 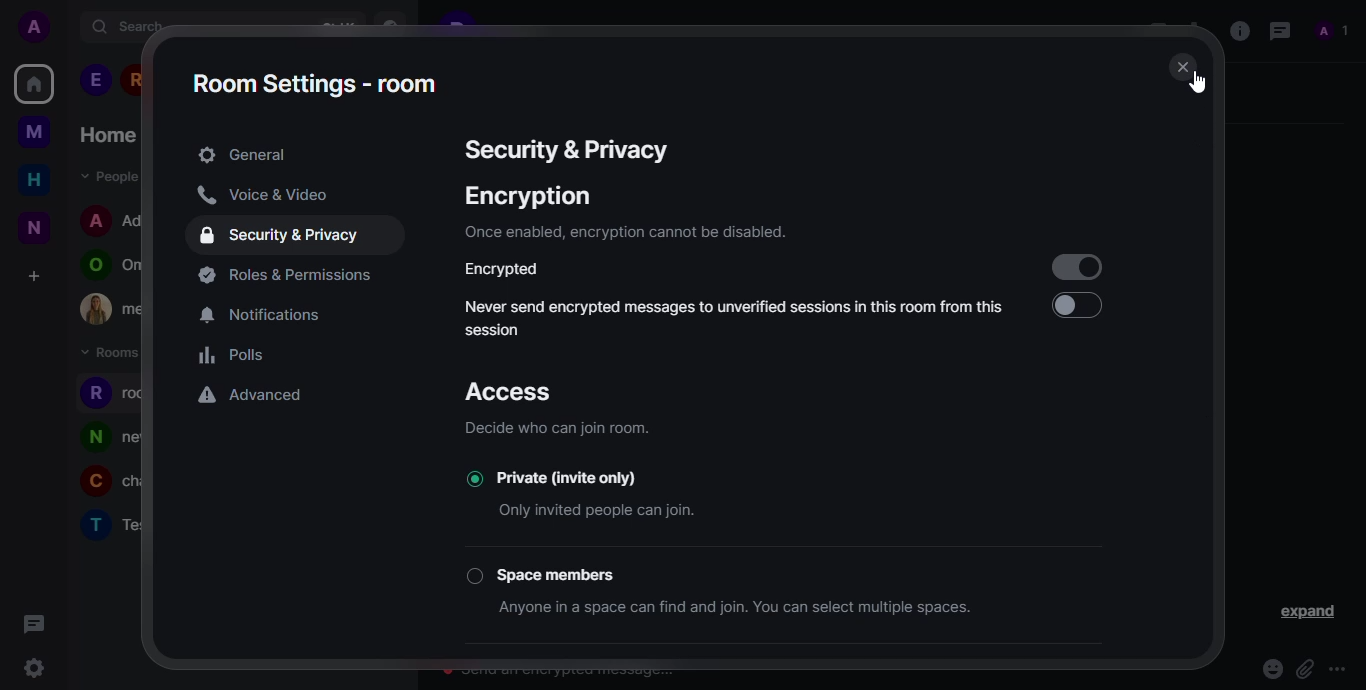 What do you see at coordinates (1304, 669) in the screenshot?
I see `attach` at bounding box center [1304, 669].